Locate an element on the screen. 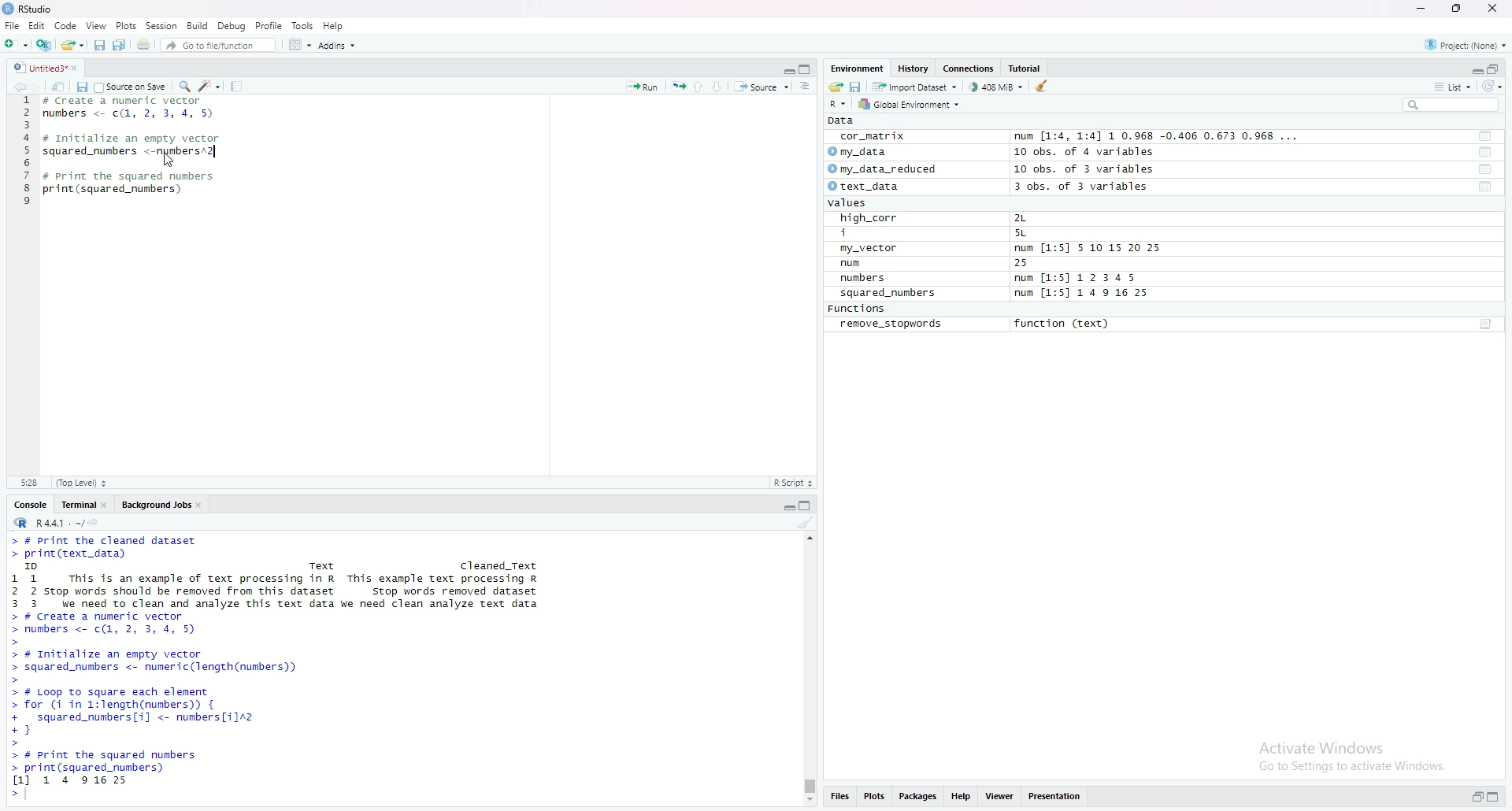 The height and width of the screenshot is (811, 1512). Presentation is located at coordinates (1055, 797).